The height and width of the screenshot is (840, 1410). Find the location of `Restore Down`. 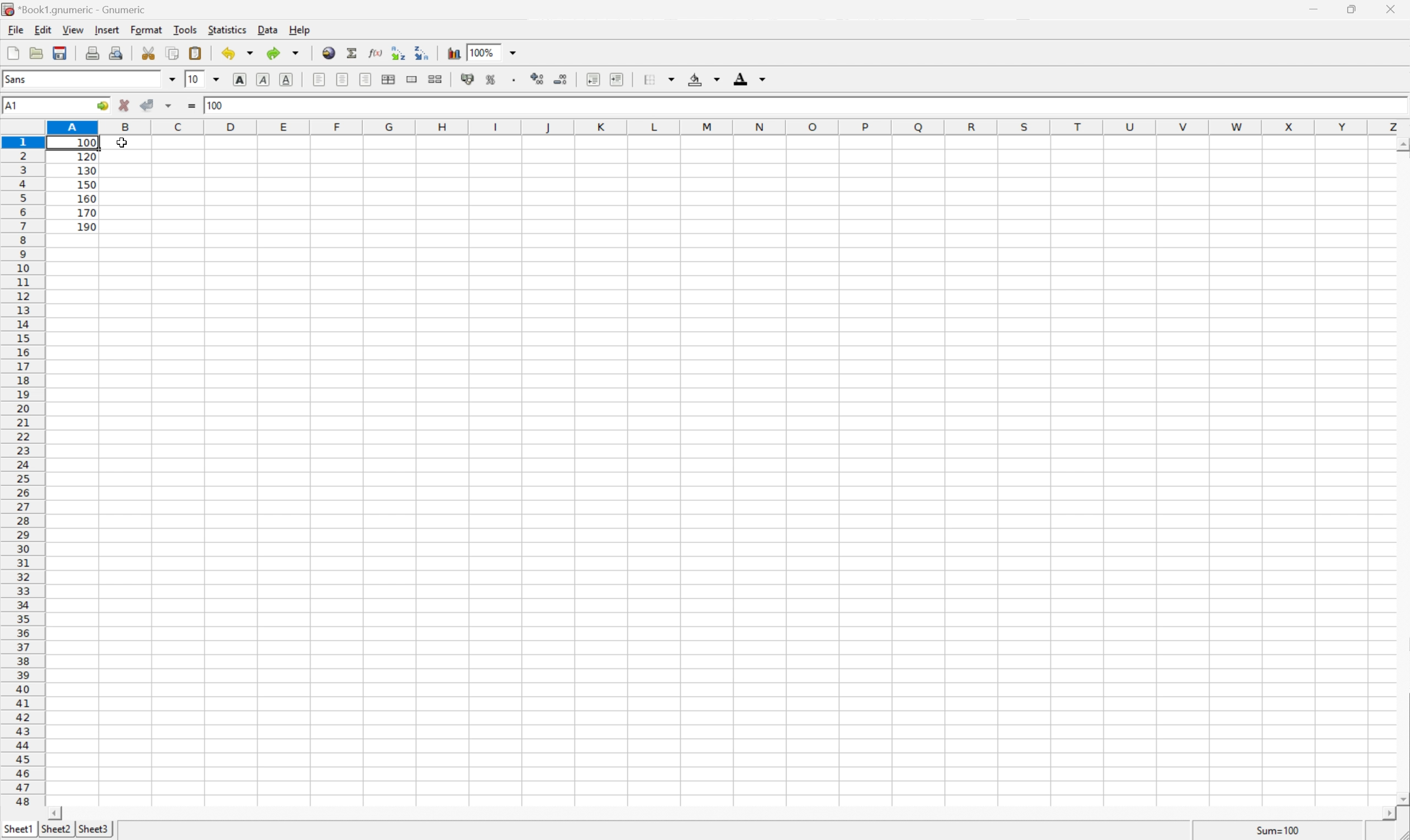

Restore Down is located at coordinates (1351, 10).